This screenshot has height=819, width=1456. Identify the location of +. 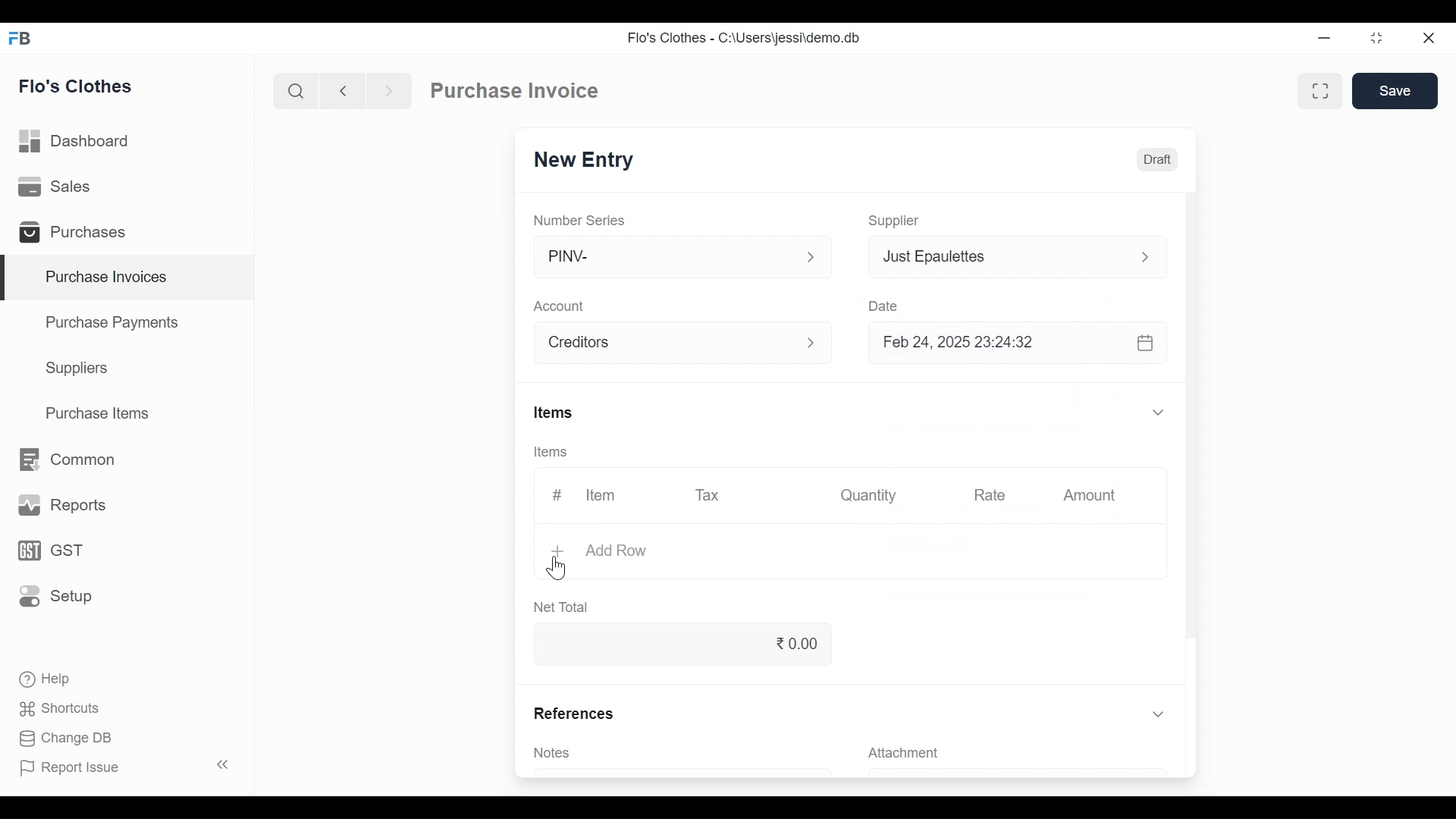
(560, 551).